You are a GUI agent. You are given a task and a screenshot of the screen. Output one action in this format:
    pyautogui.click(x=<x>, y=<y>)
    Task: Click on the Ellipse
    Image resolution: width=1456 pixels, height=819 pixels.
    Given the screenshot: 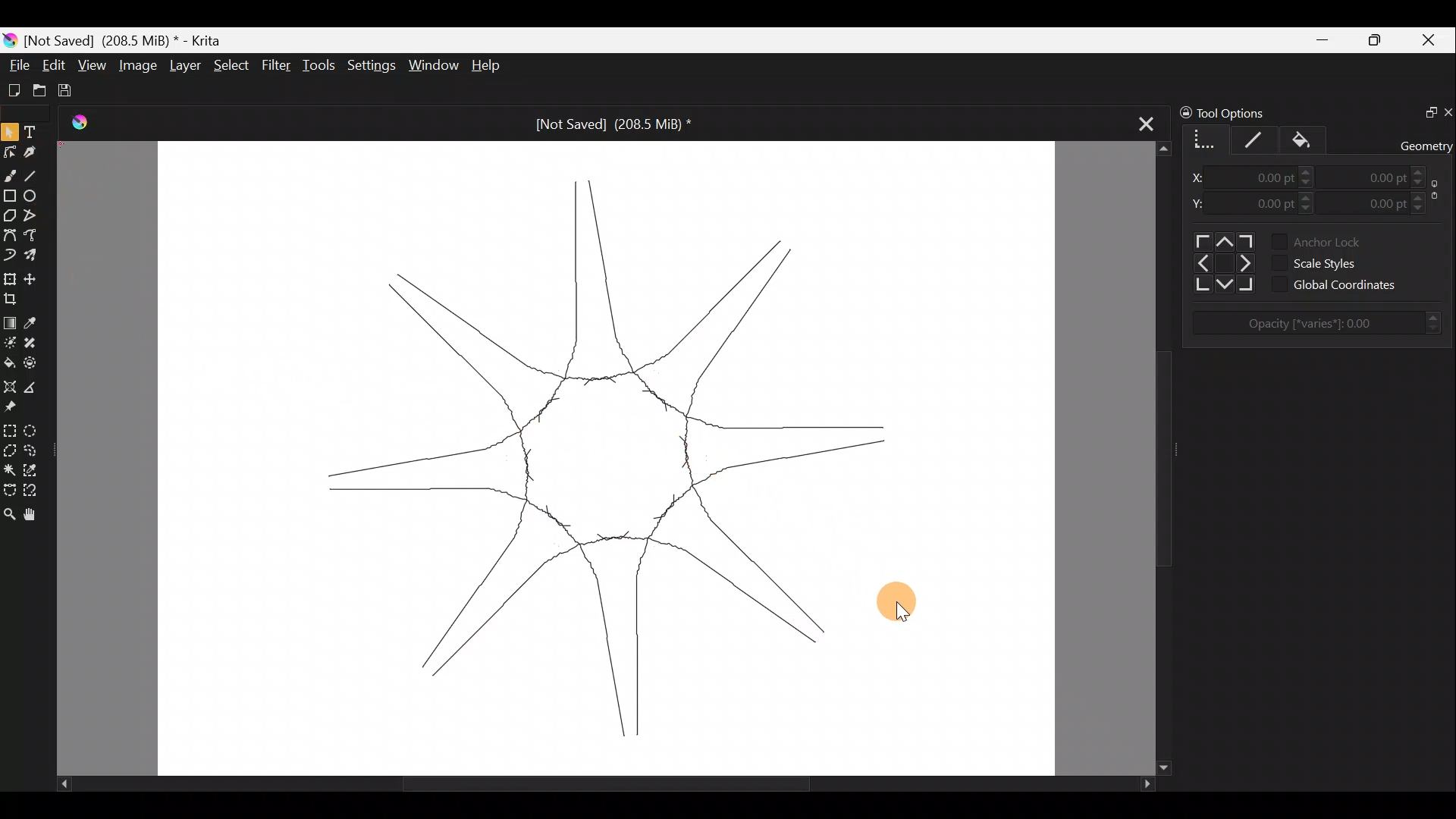 What is the action you would take?
    pyautogui.click(x=31, y=196)
    